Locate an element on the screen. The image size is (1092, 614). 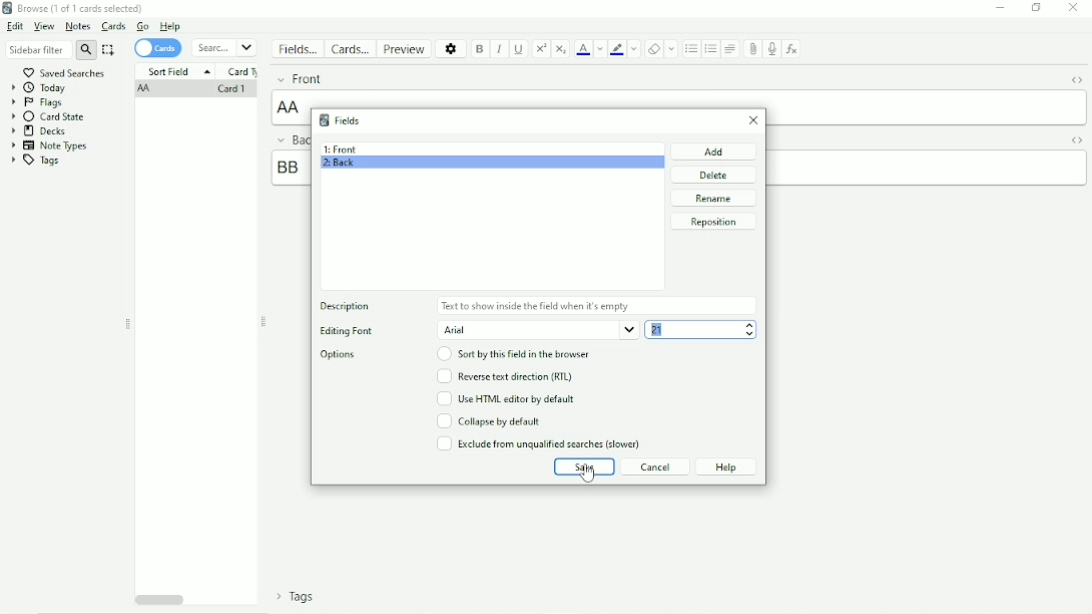
Flags is located at coordinates (37, 103).